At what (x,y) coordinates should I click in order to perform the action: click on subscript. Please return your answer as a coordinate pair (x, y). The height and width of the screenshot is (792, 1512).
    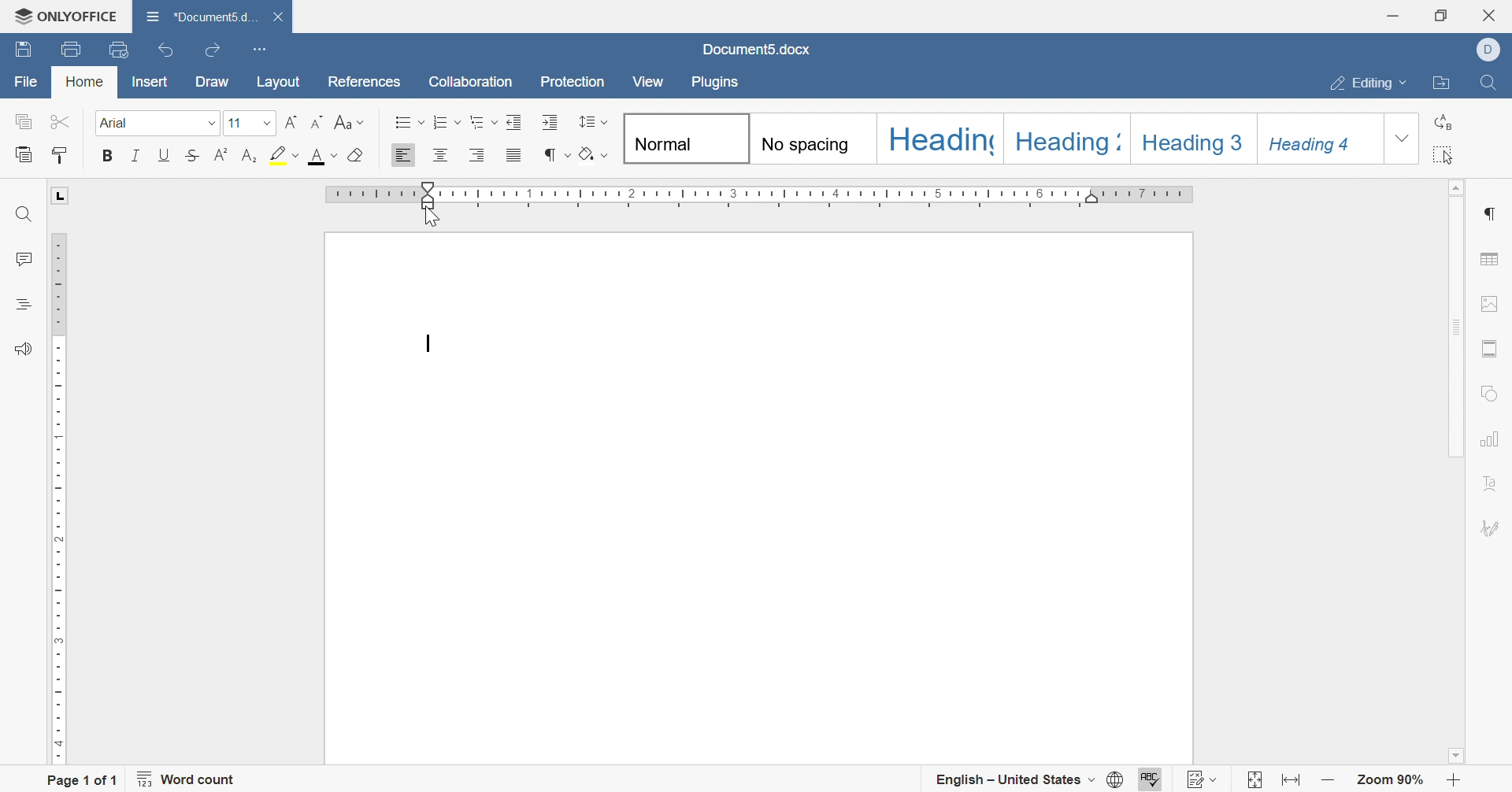
    Looking at the image, I should click on (250, 154).